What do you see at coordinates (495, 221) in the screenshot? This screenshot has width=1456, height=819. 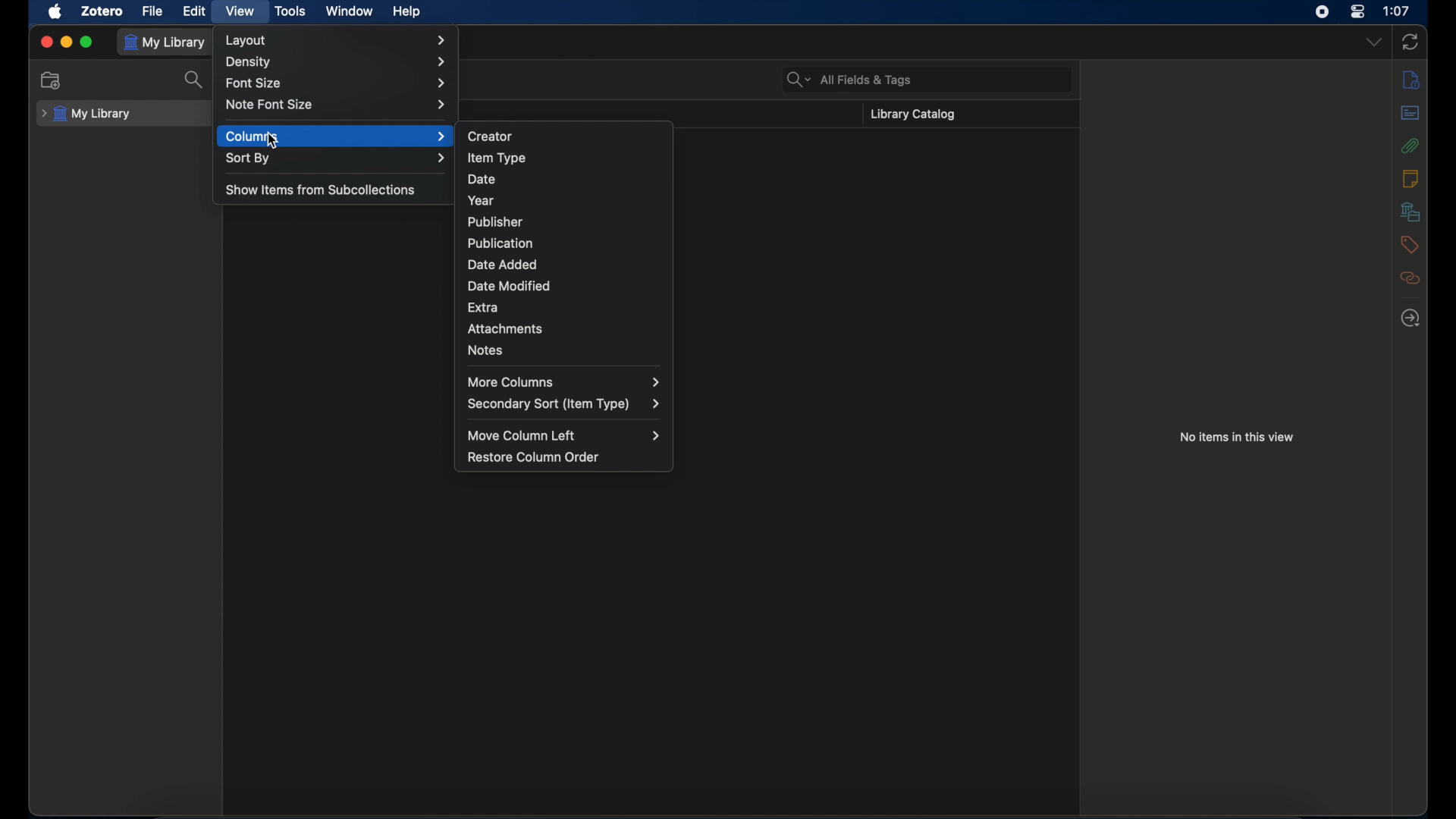 I see `publisher` at bounding box center [495, 221].